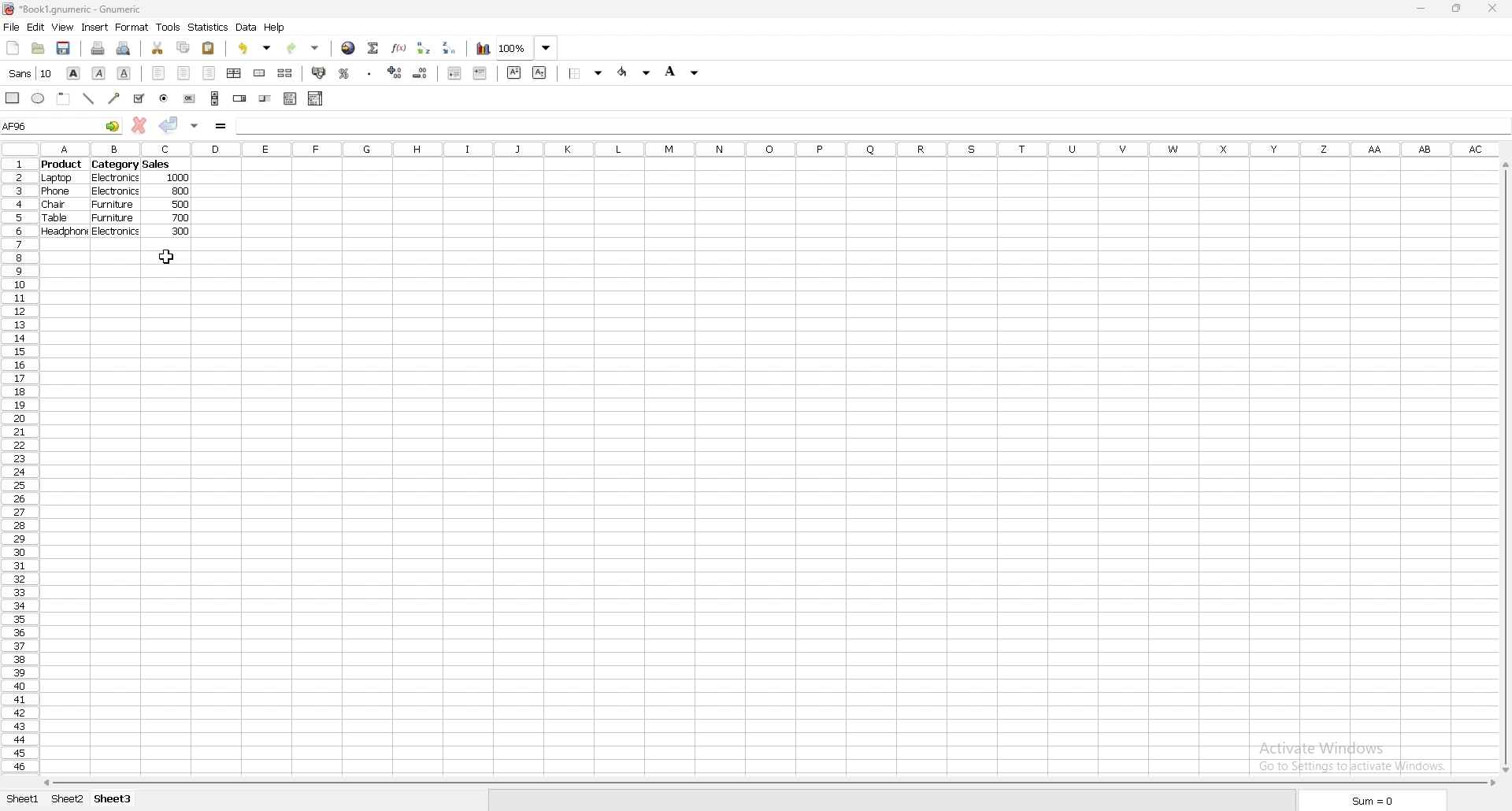  What do you see at coordinates (317, 98) in the screenshot?
I see `combo box` at bounding box center [317, 98].